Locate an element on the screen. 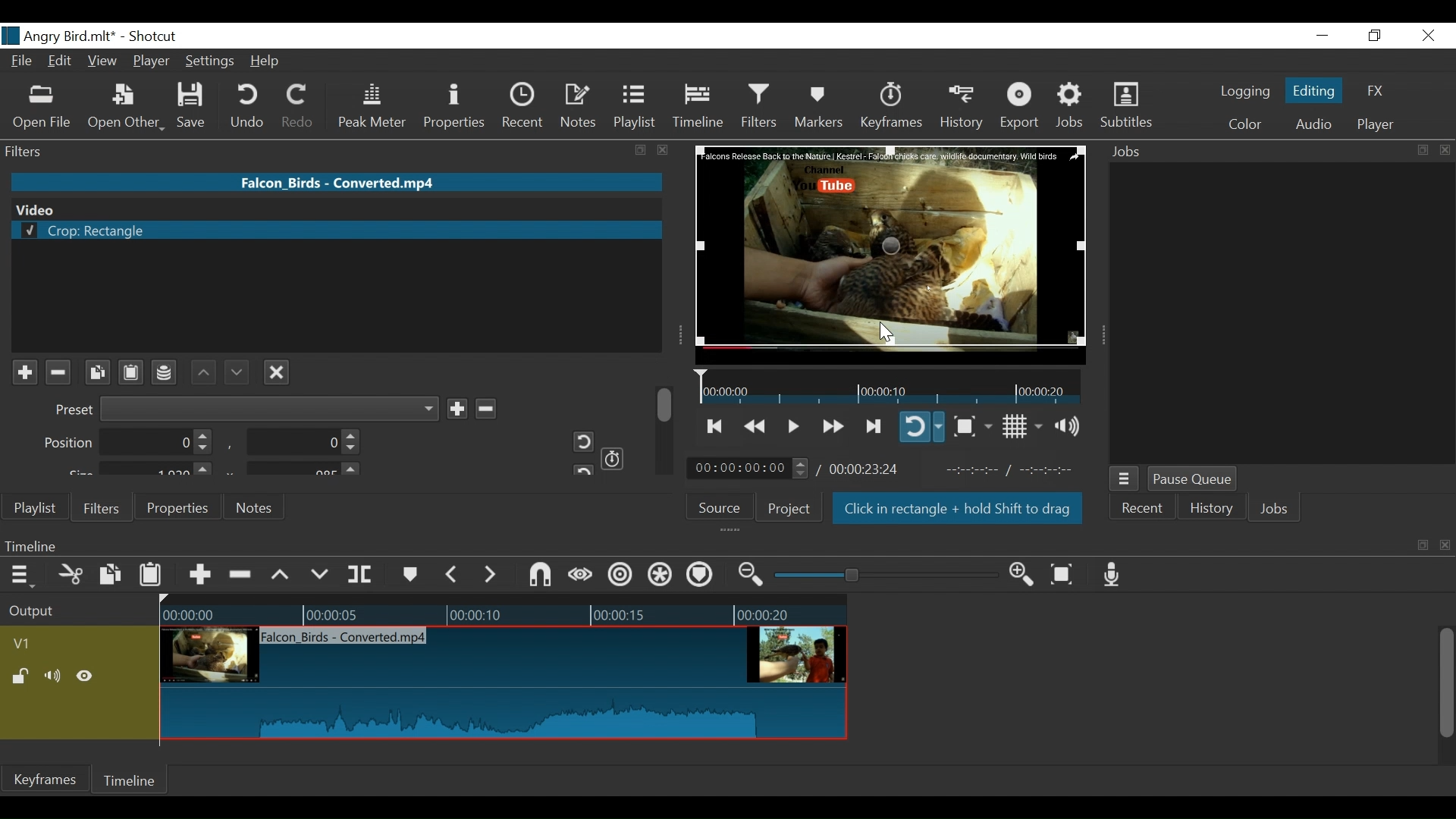  close is located at coordinates (664, 150).